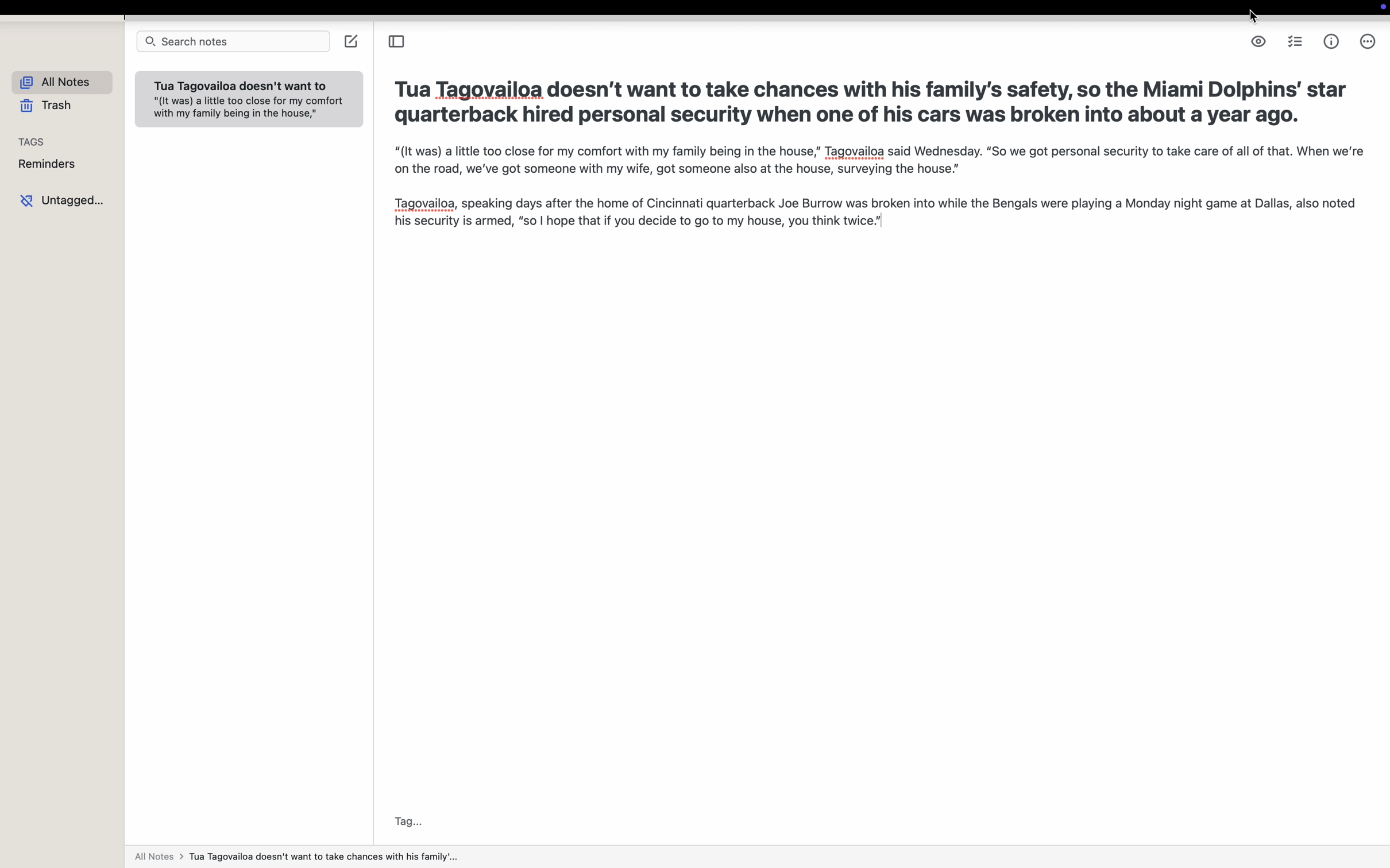  I want to click on trash, so click(41, 106).